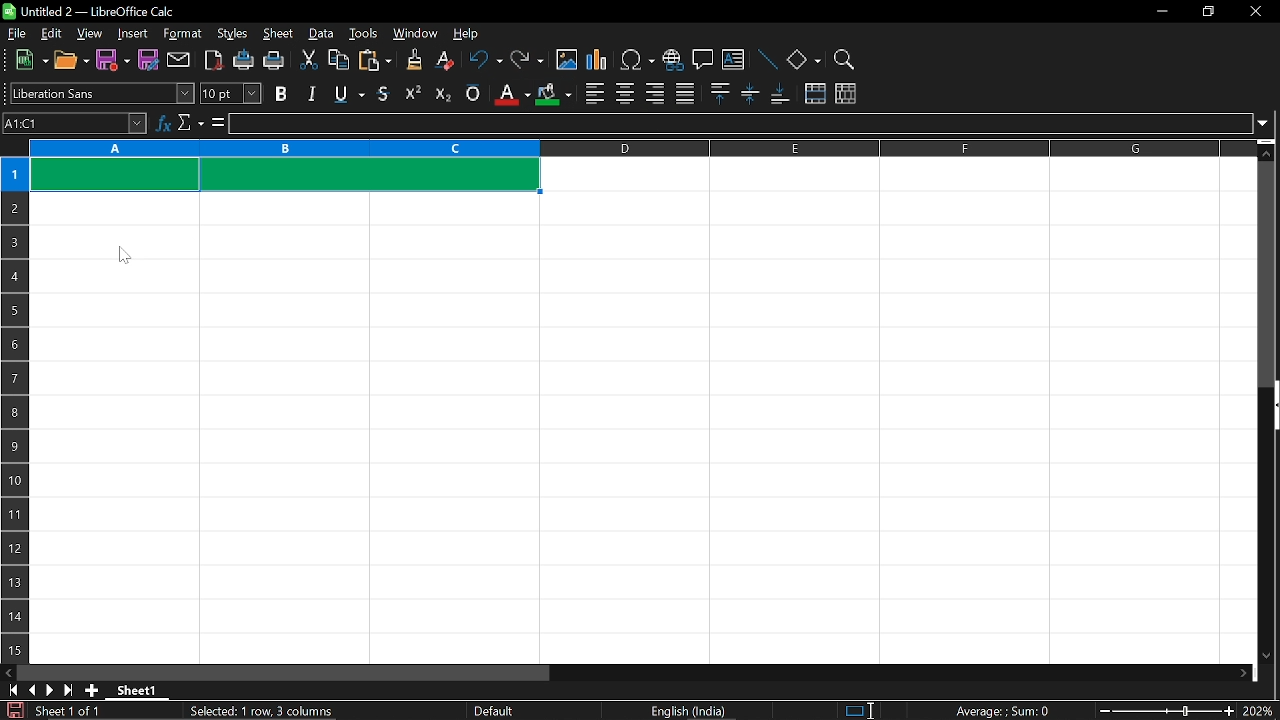 The width and height of the screenshot is (1280, 720). I want to click on justified, so click(685, 92).